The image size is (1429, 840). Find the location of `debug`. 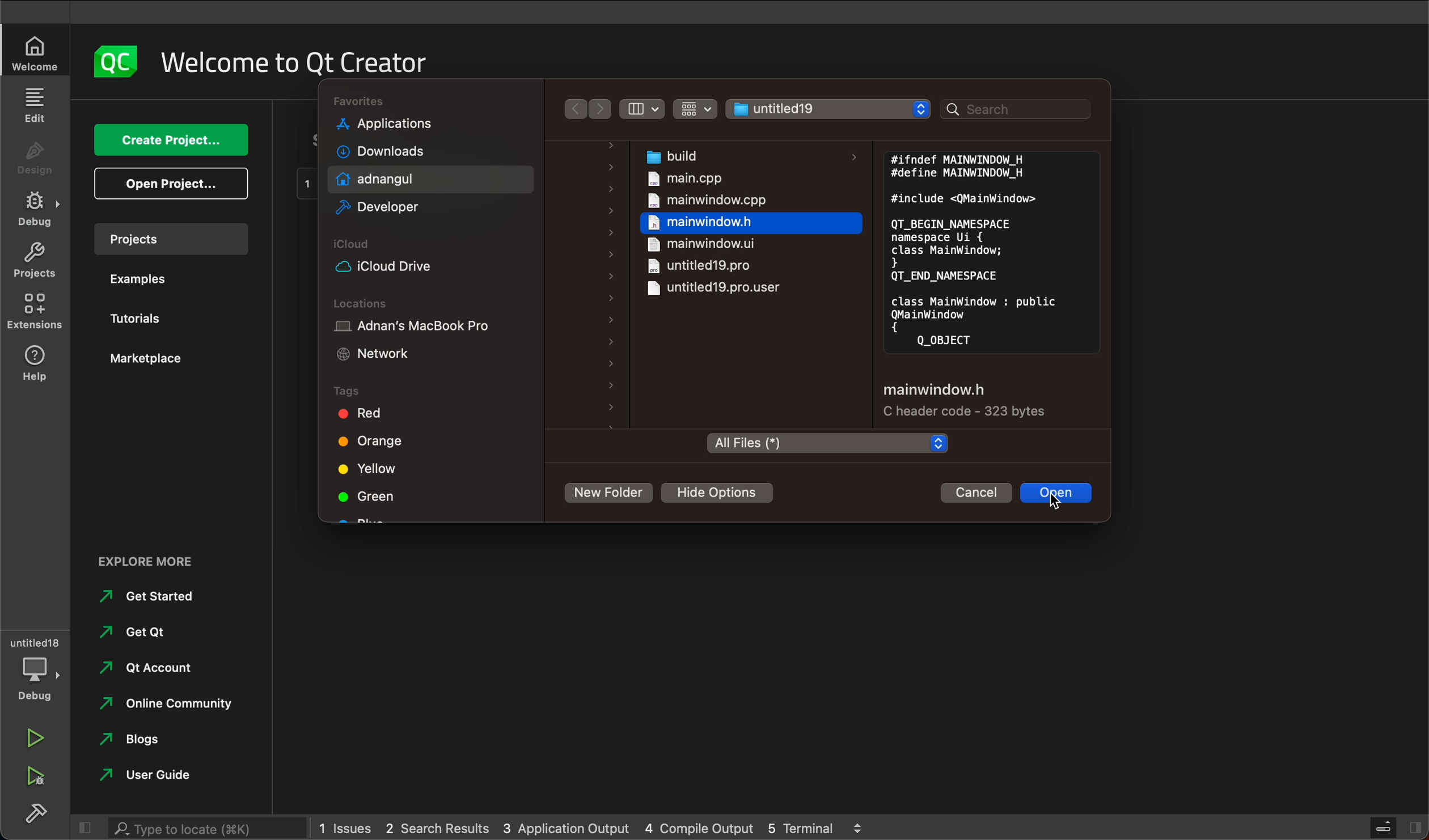

debug is located at coordinates (39, 209).